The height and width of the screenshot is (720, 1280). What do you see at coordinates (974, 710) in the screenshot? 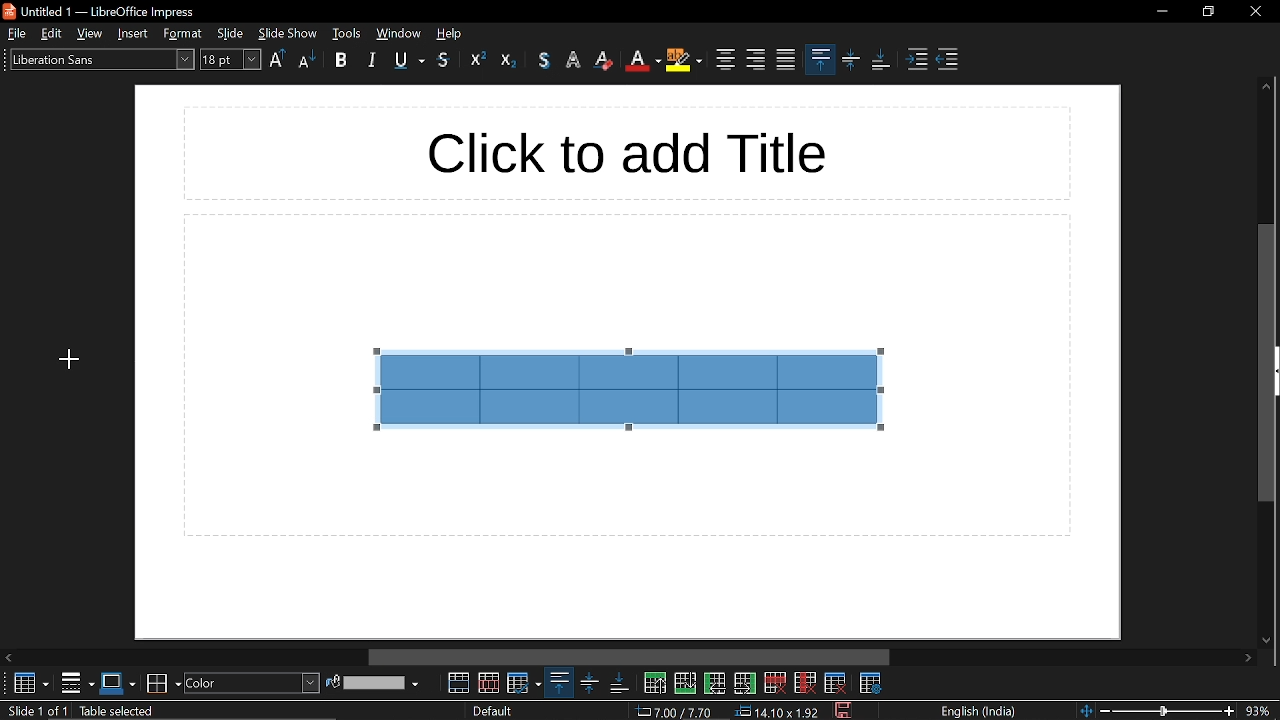
I see `language` at bounding box center [974, 710].